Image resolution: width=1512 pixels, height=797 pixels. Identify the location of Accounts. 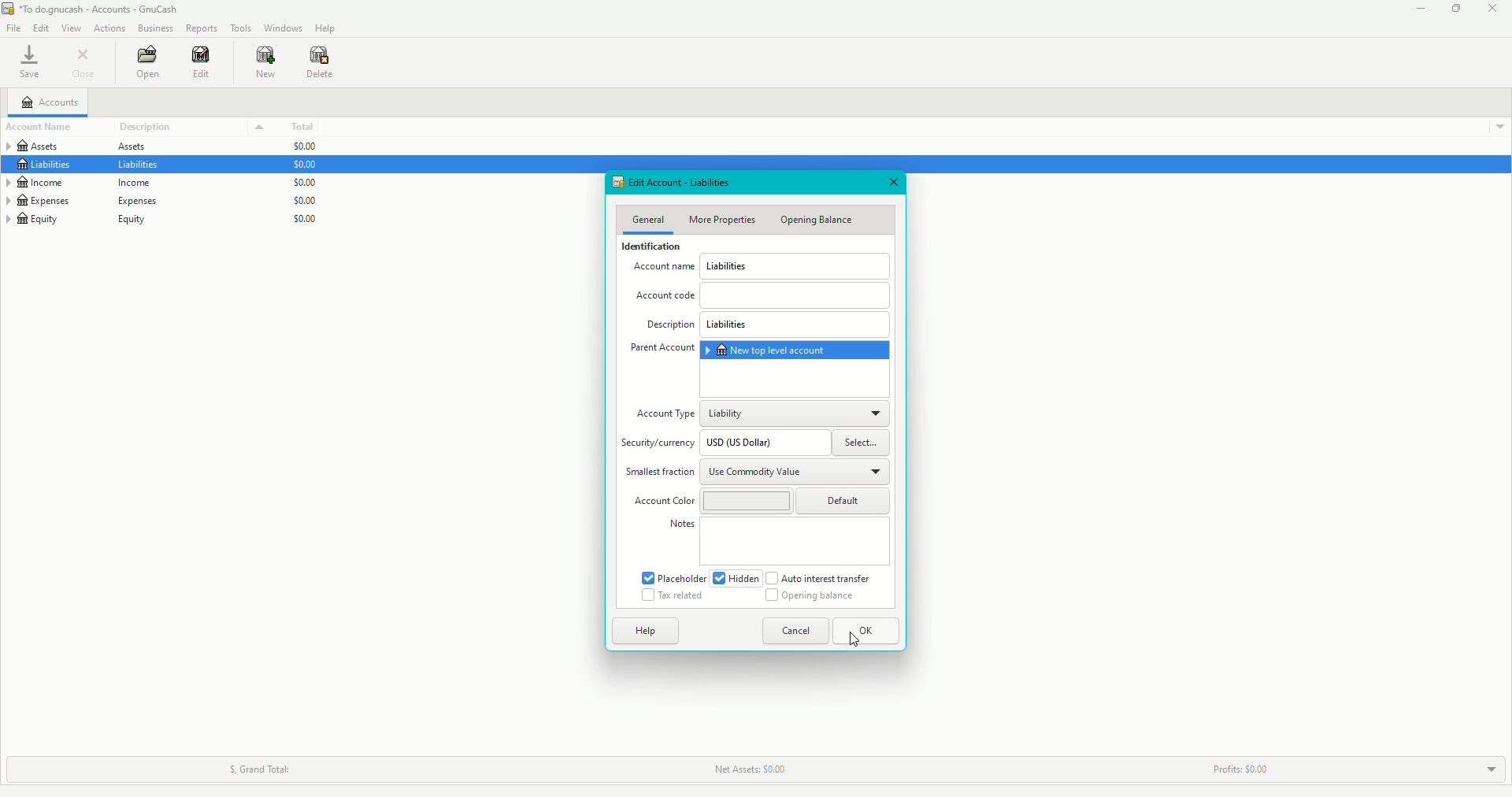
(50, 101).